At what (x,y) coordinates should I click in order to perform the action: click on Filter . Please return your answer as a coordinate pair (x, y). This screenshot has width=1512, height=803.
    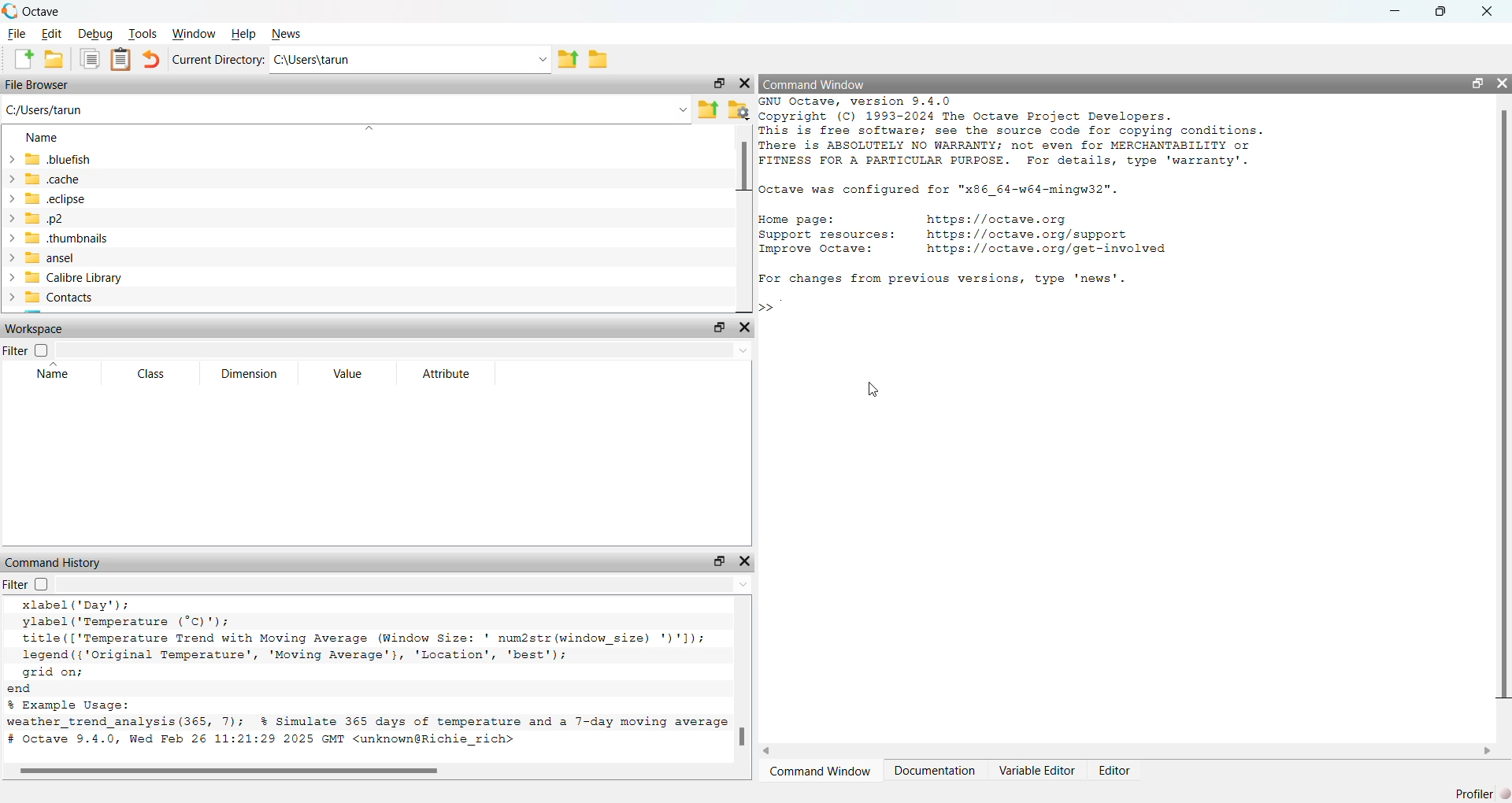
    Looking at the image, I should click on (30, 351).